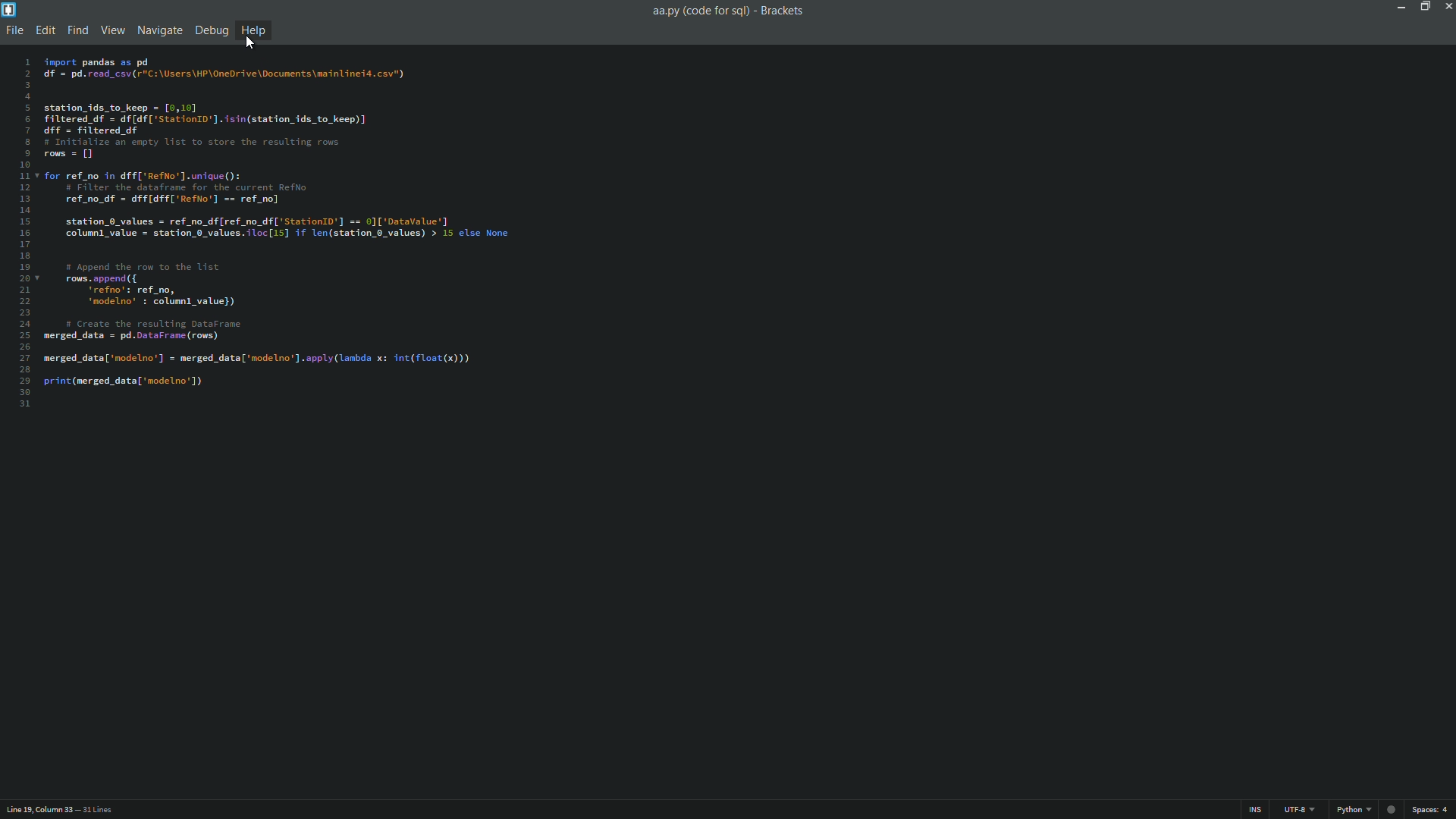 This screenshot has height=819, width=1456. What do you see at coordinates (37, 808) in the screenshot?
I see `cursor position - Line 19, column33` at bounding box center [37, 808].